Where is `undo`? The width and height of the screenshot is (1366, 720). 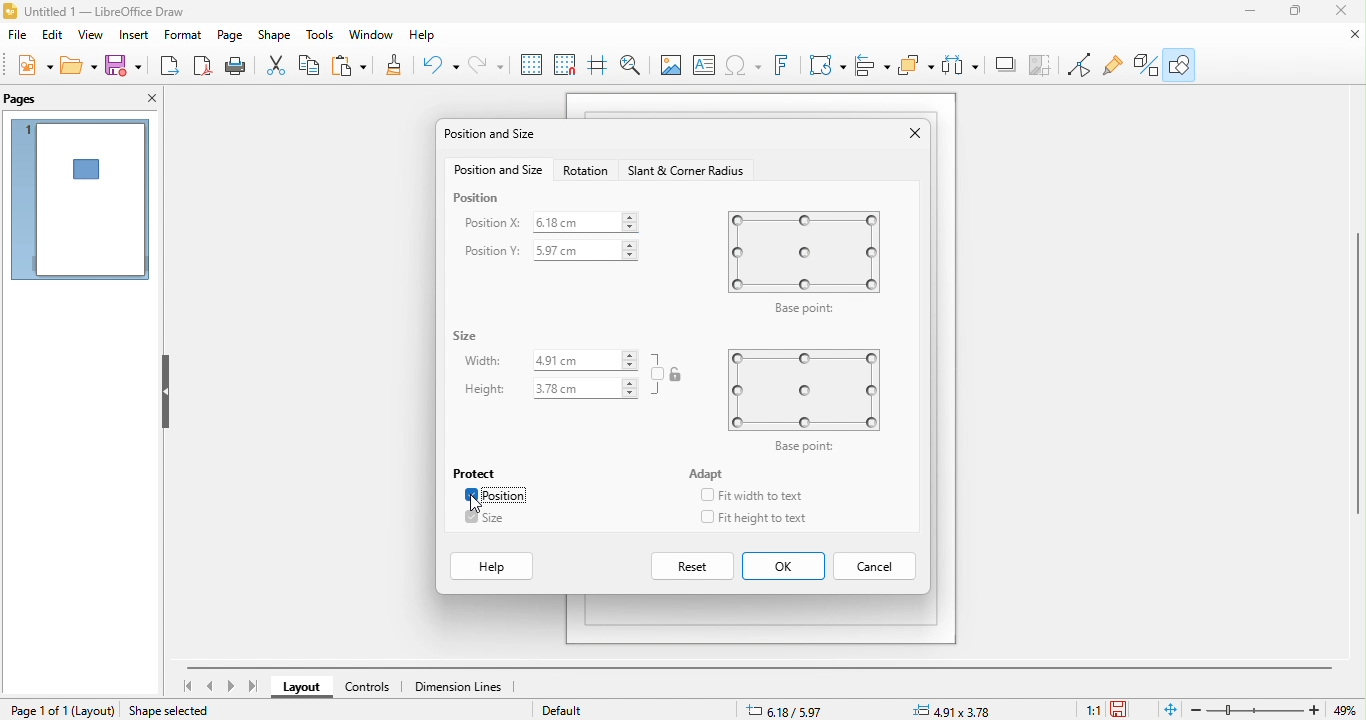 undo is located at coordinates (443, 66).